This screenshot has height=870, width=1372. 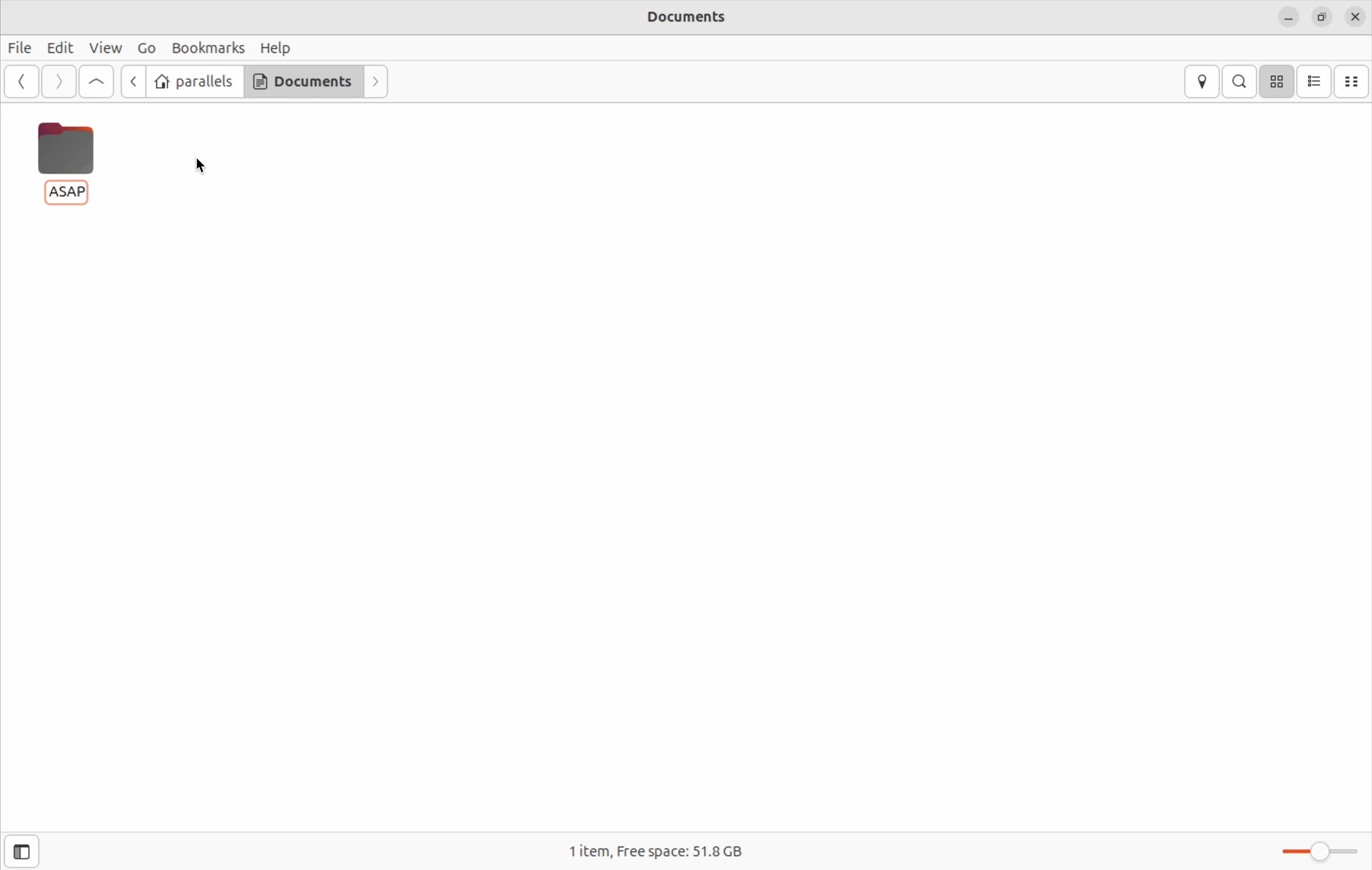 I want to click on search, so click(x=1242, y=81).